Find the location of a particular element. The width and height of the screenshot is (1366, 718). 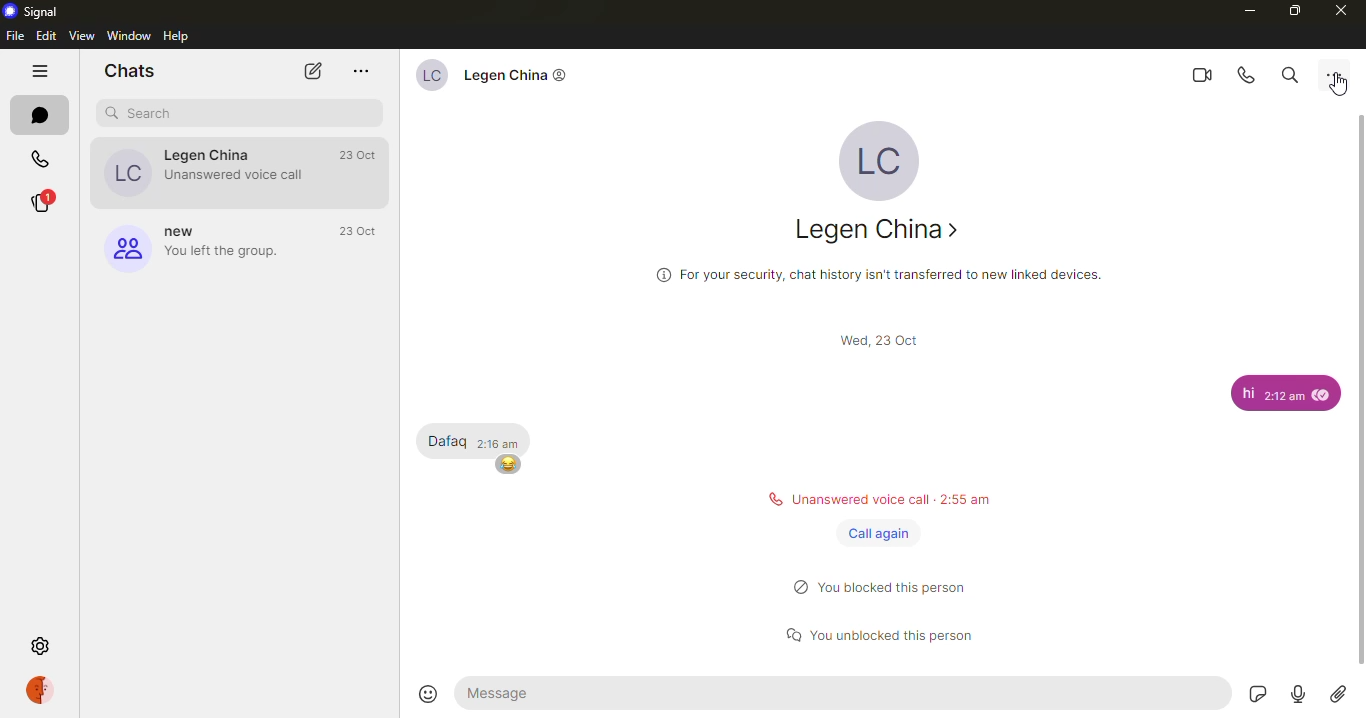

maximize is located at coordinates (1293, 9).